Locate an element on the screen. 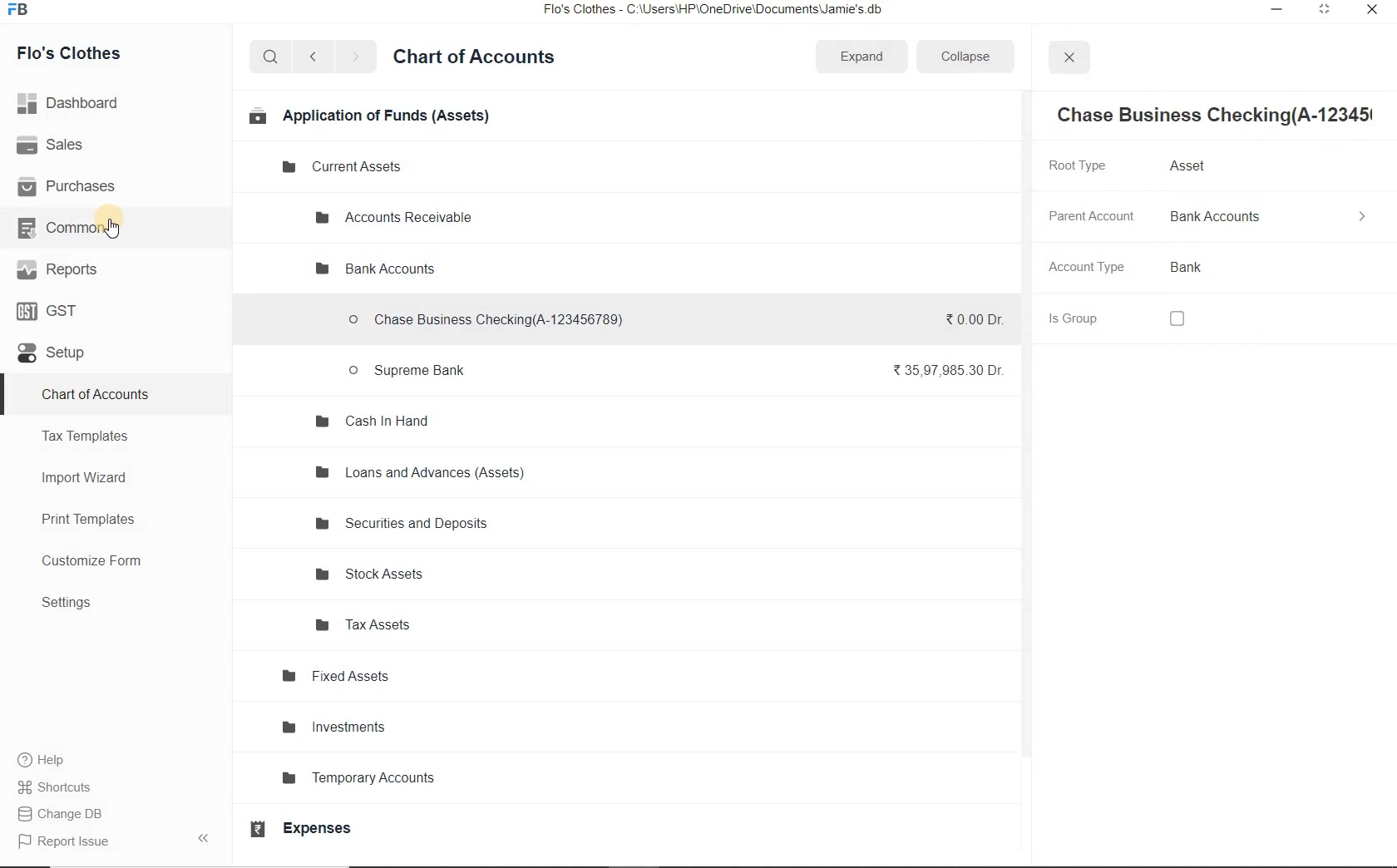 The image size is (1397, 868). Add Account is located at coordinates (492, 269).